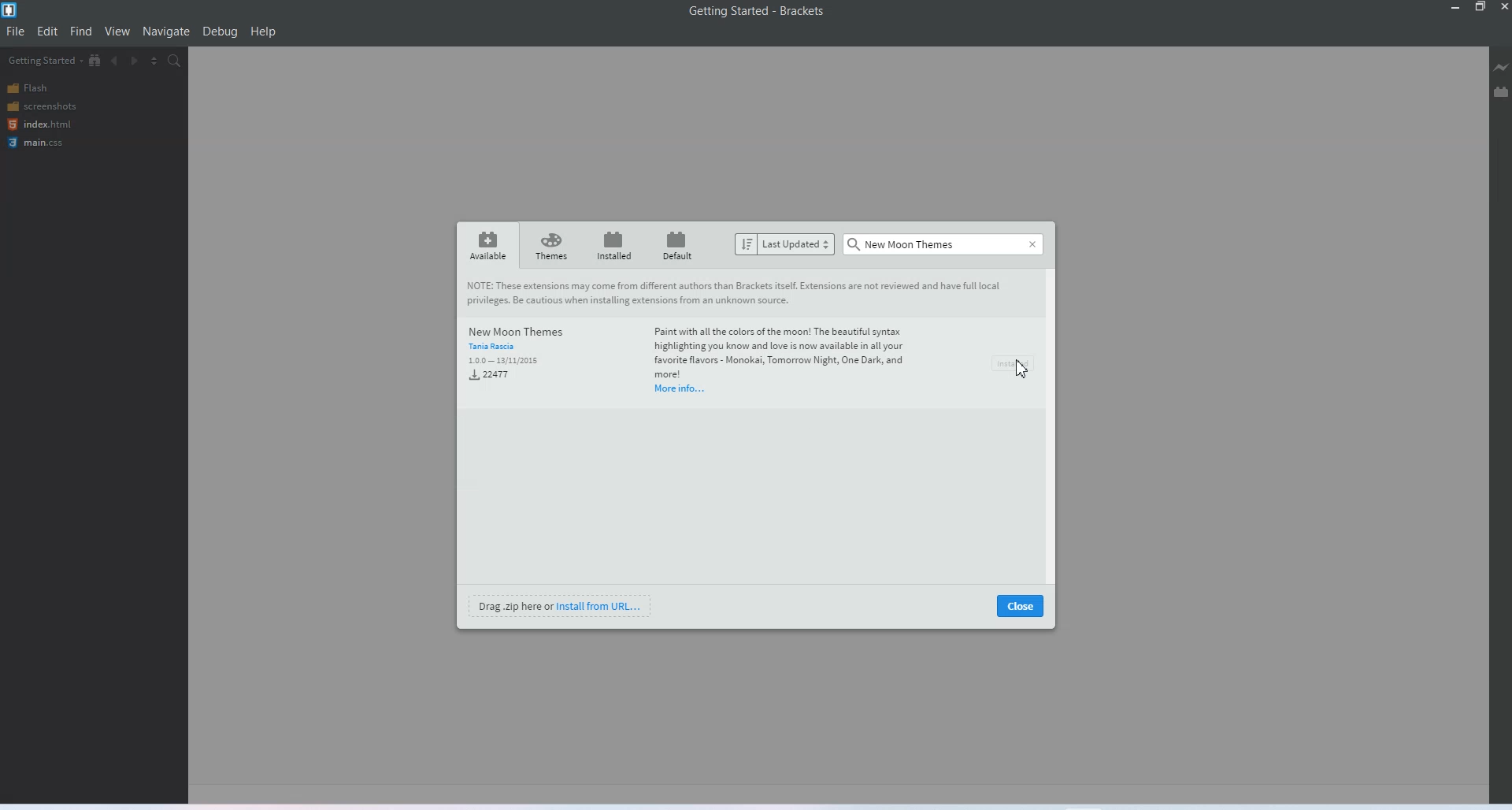  I want to click on Note : These extensions may come from different authors than Brackets itself. Extensions are not reviewed and have full local privileges. be cautious when installing extensions from an unknown source., so click(743, 291).